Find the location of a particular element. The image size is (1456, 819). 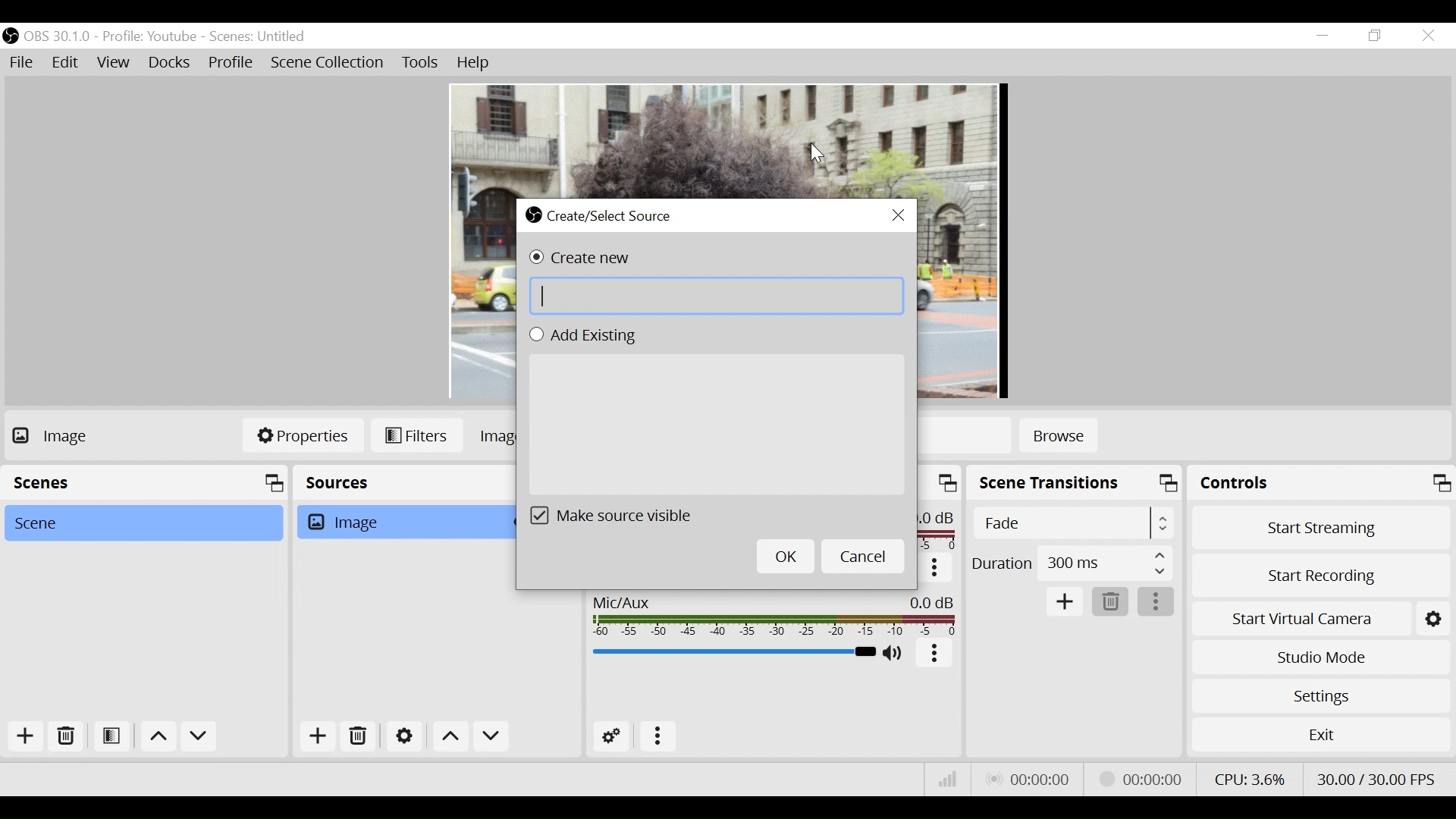

OBS Version is located at coordinates (57, 37).